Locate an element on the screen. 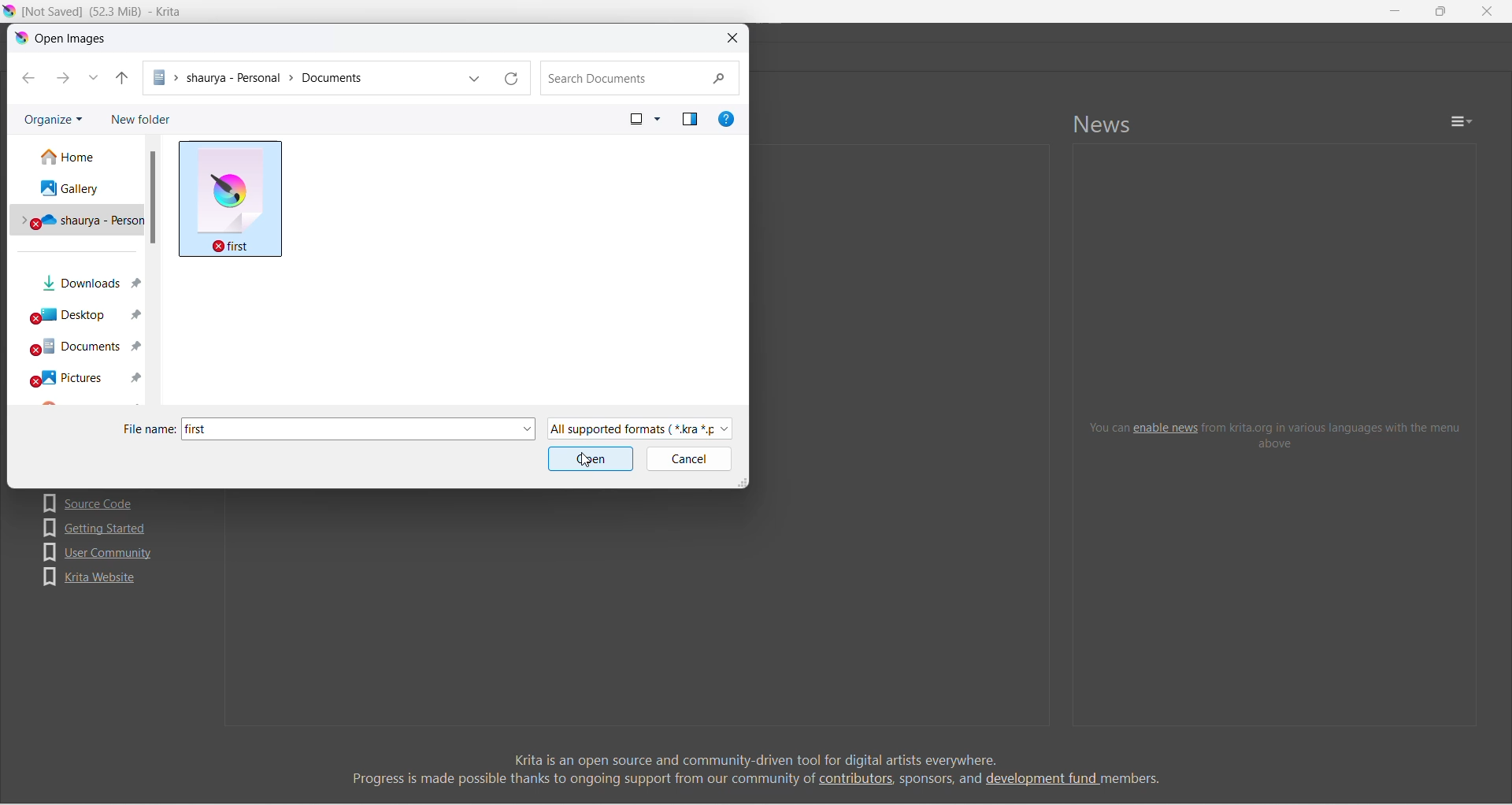 This screenshot has height=805, width=1512. previous is located at coordinates (29, 78).